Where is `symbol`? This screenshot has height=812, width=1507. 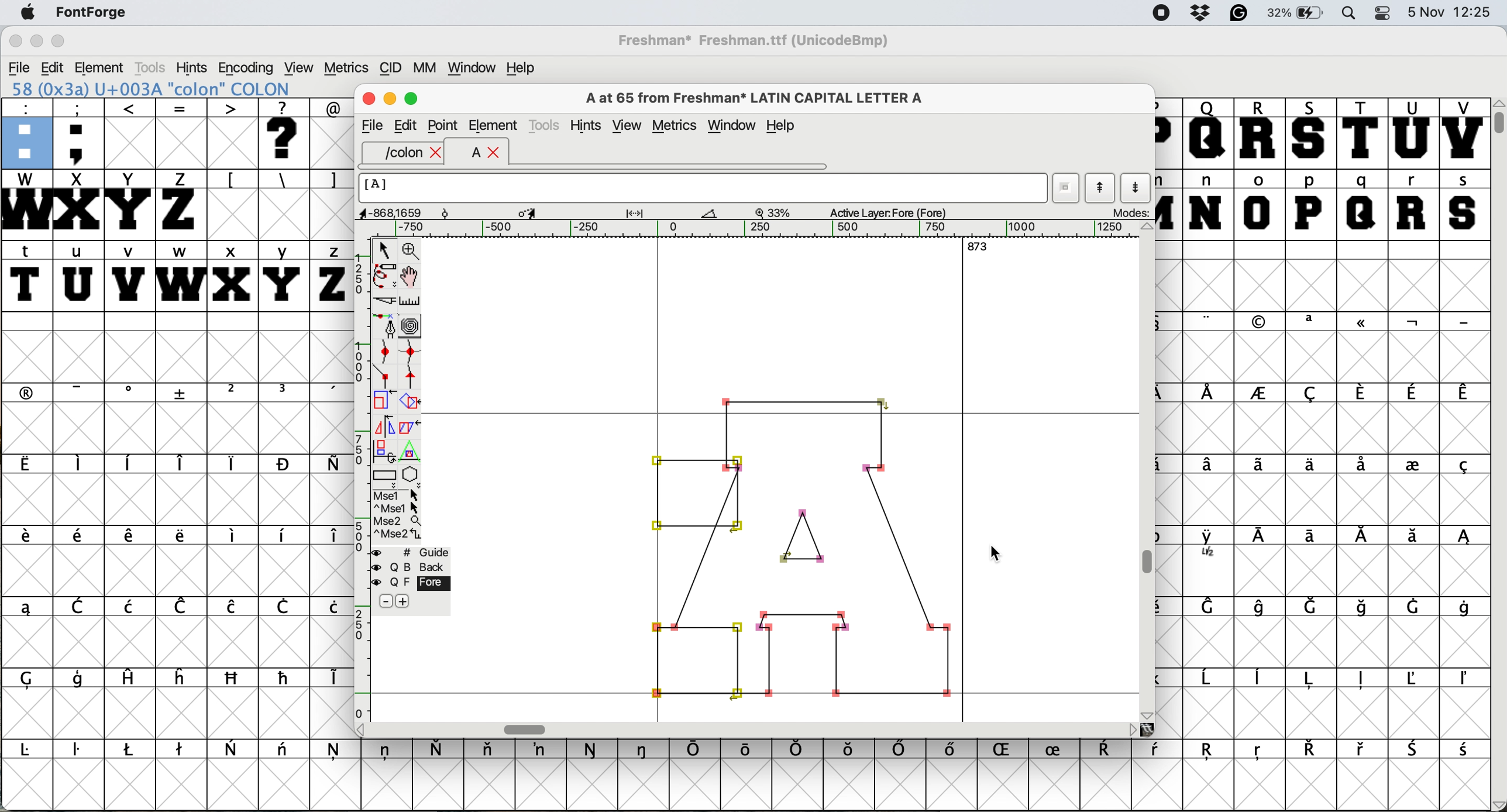 symbol is located at coordinates (81, 465).